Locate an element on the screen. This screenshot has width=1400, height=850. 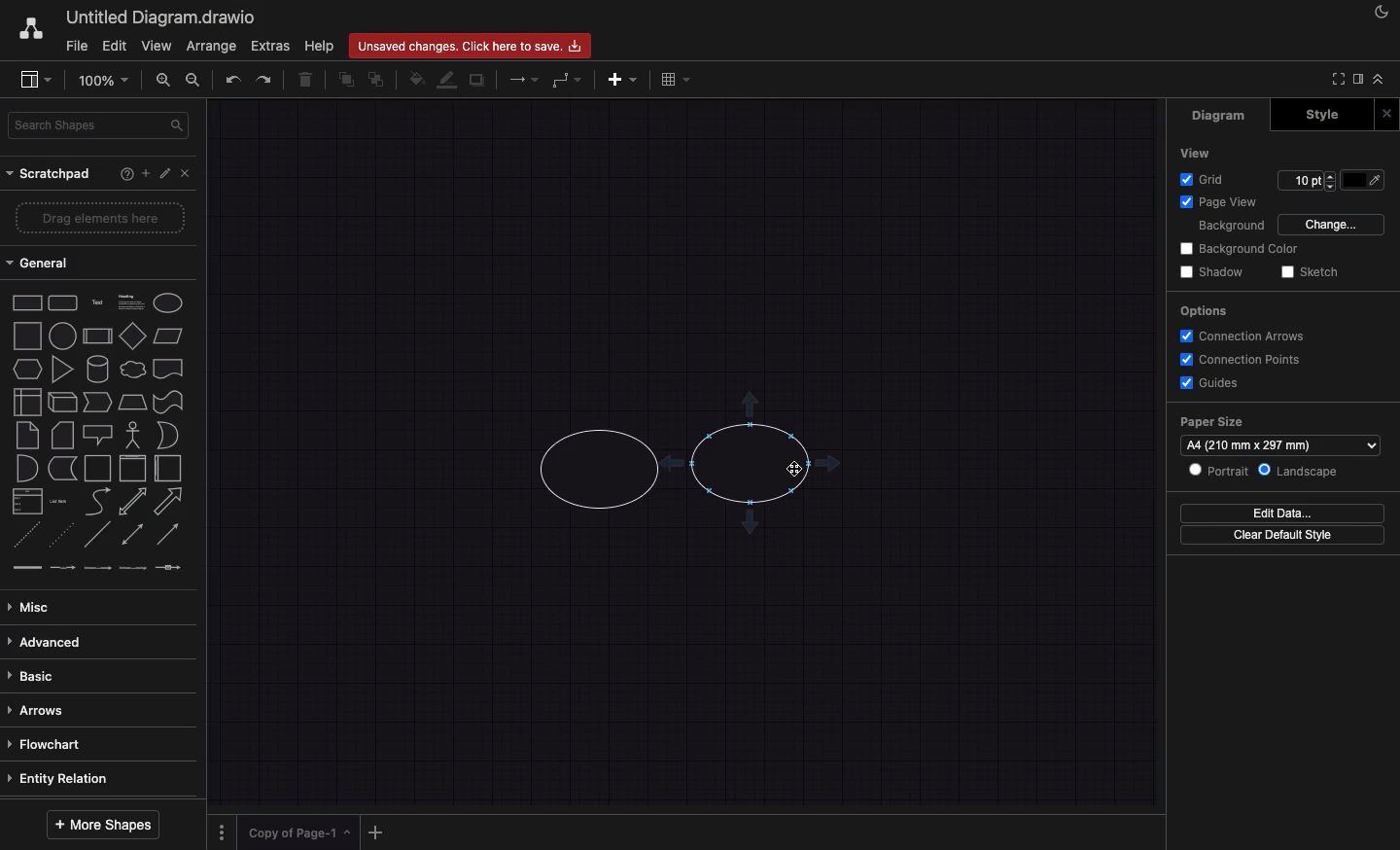
a4 (210mm x 297mm) is located at coordinates (1279, 445).